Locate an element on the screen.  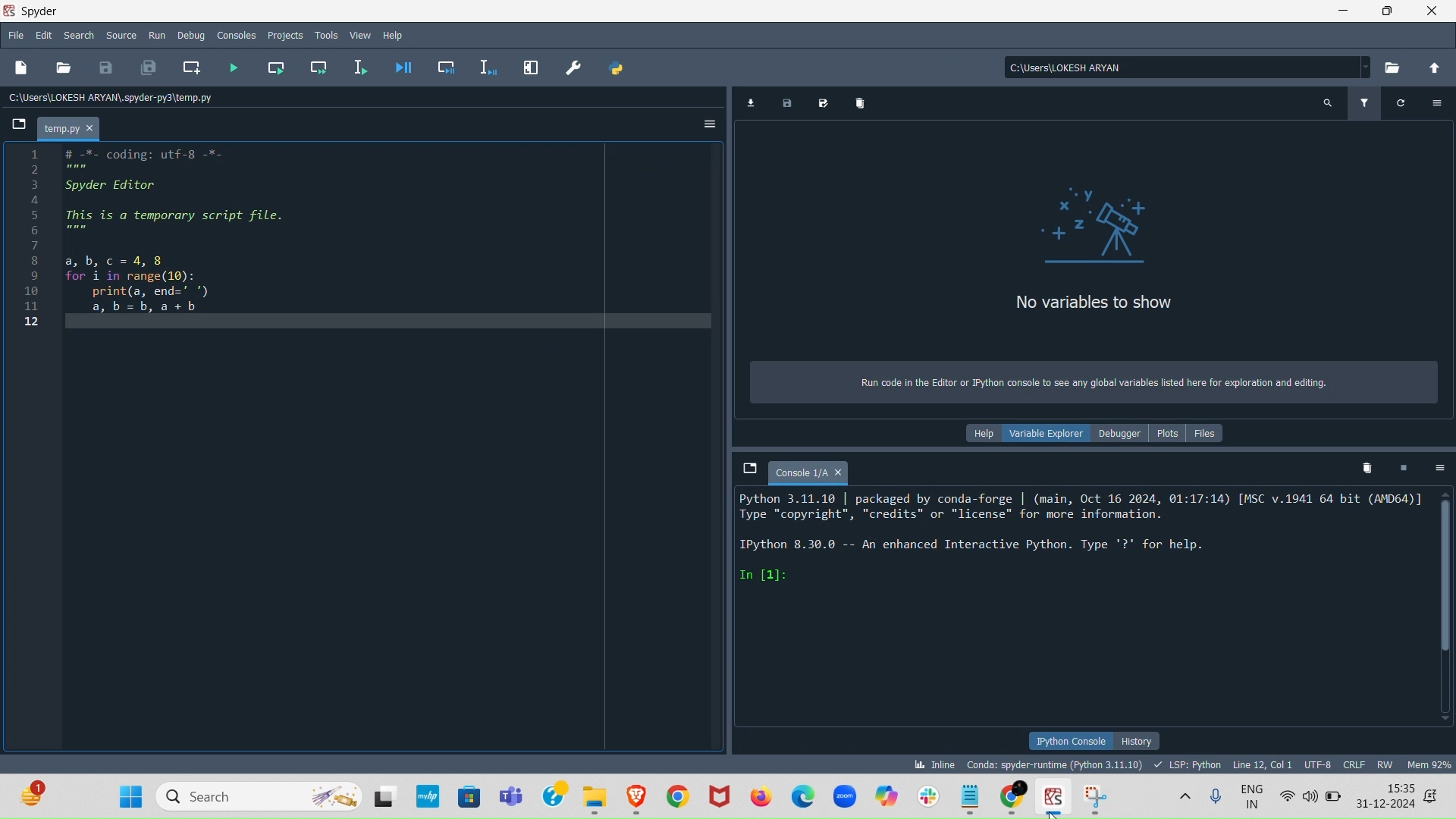
Console editor is located at coordinates (1082, 608).